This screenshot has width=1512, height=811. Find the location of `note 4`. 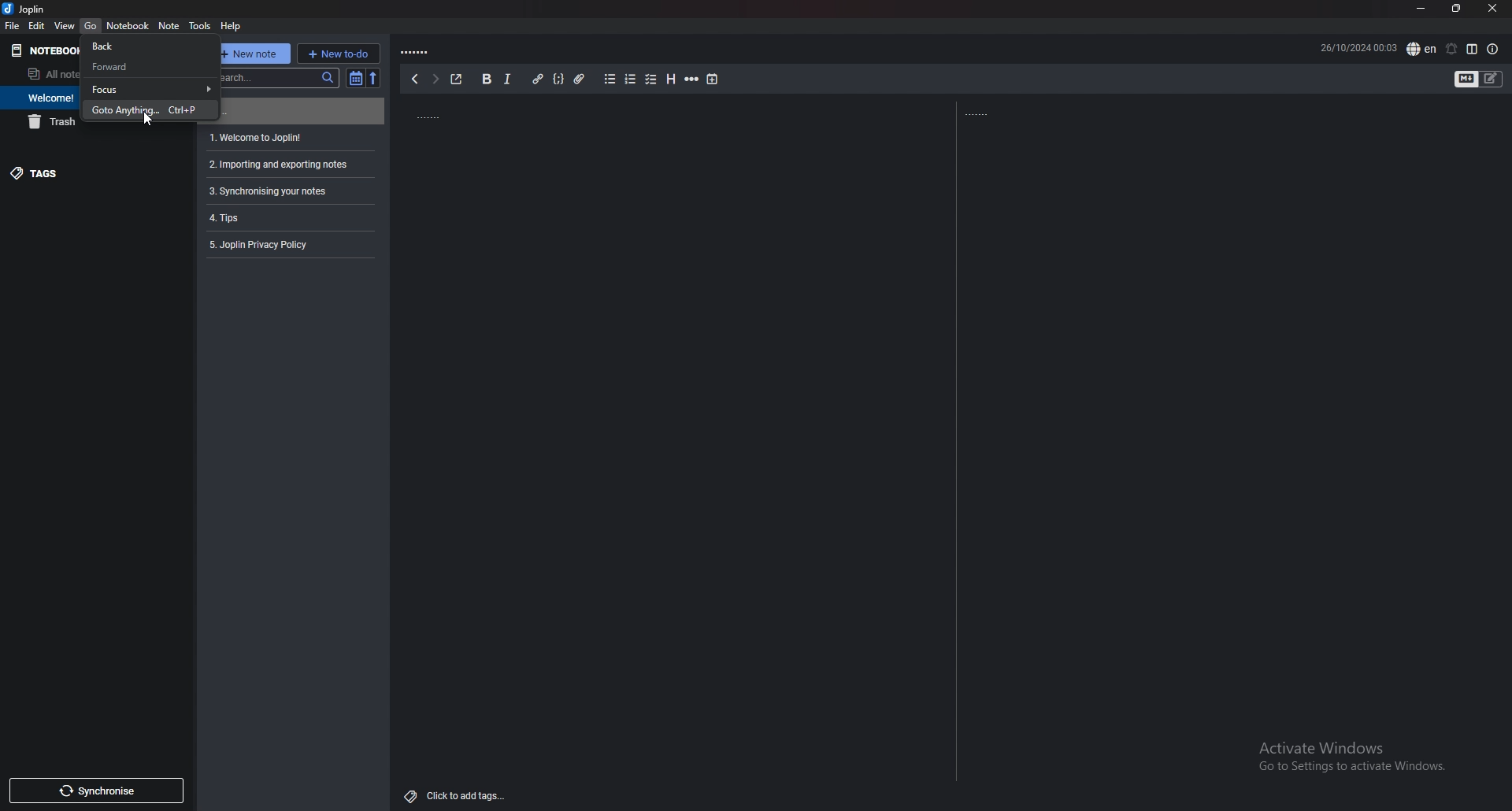

note 4 is located at coordinates (288, 191).